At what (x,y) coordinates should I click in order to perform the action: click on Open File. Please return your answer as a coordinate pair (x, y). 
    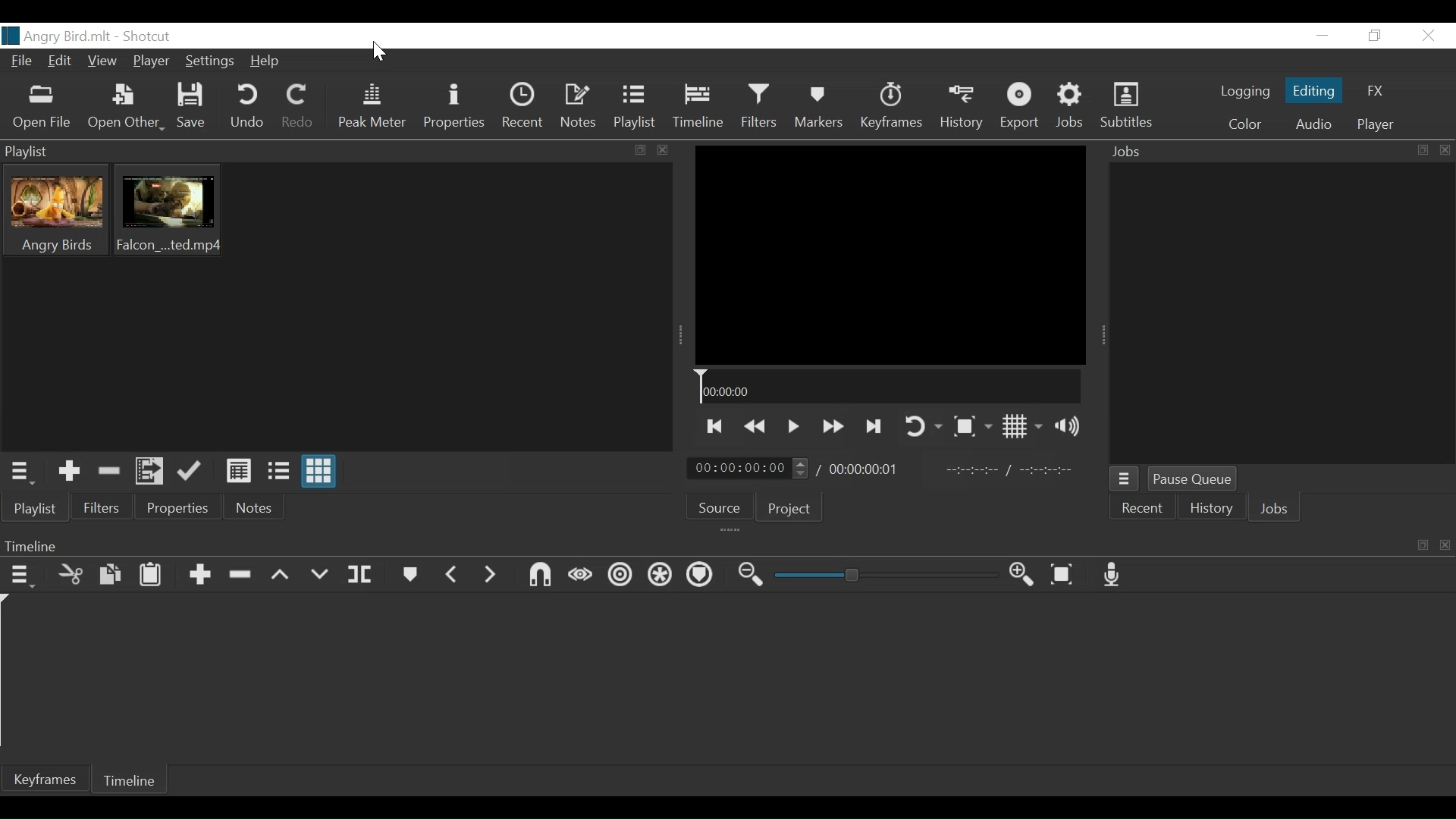
    Looking at the image, I should click on (39, 108).